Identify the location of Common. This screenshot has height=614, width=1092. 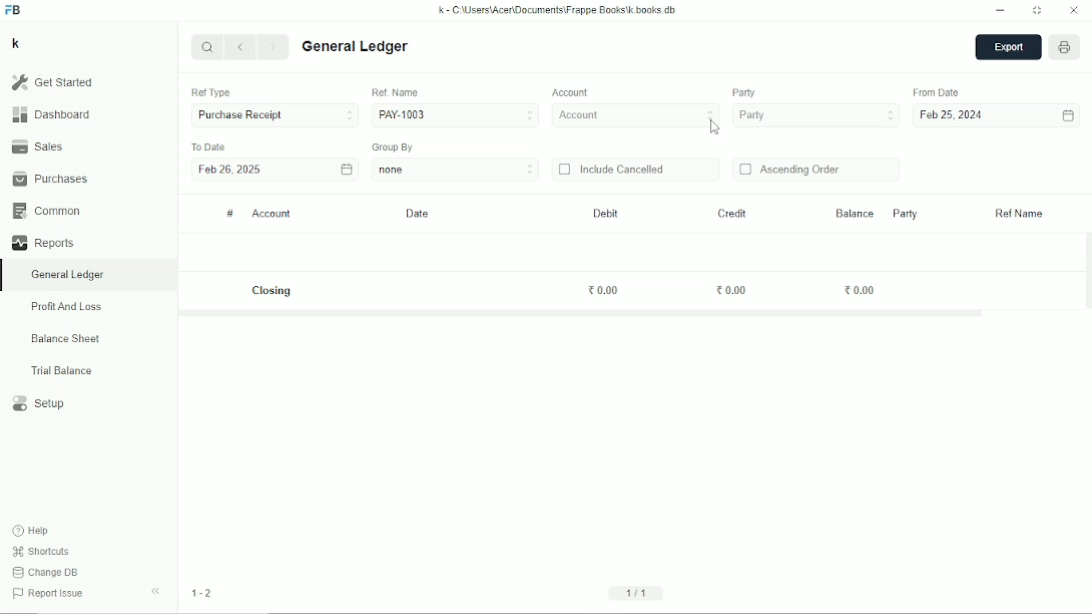
(46, 211).